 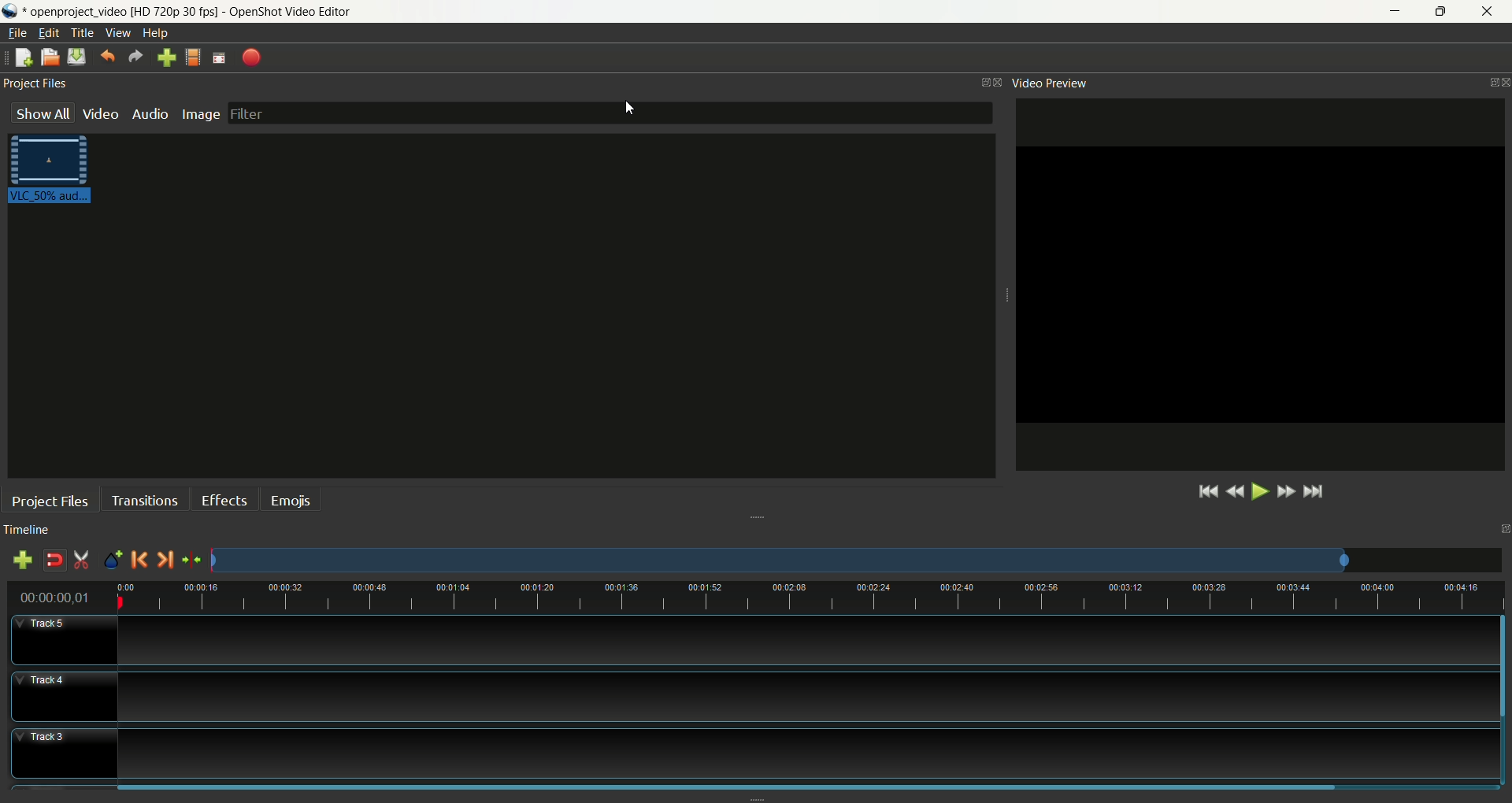 What do you see at coordinates (141, 560) in the screenshot?
I see `previous marker` at bounding box center [141, 560].